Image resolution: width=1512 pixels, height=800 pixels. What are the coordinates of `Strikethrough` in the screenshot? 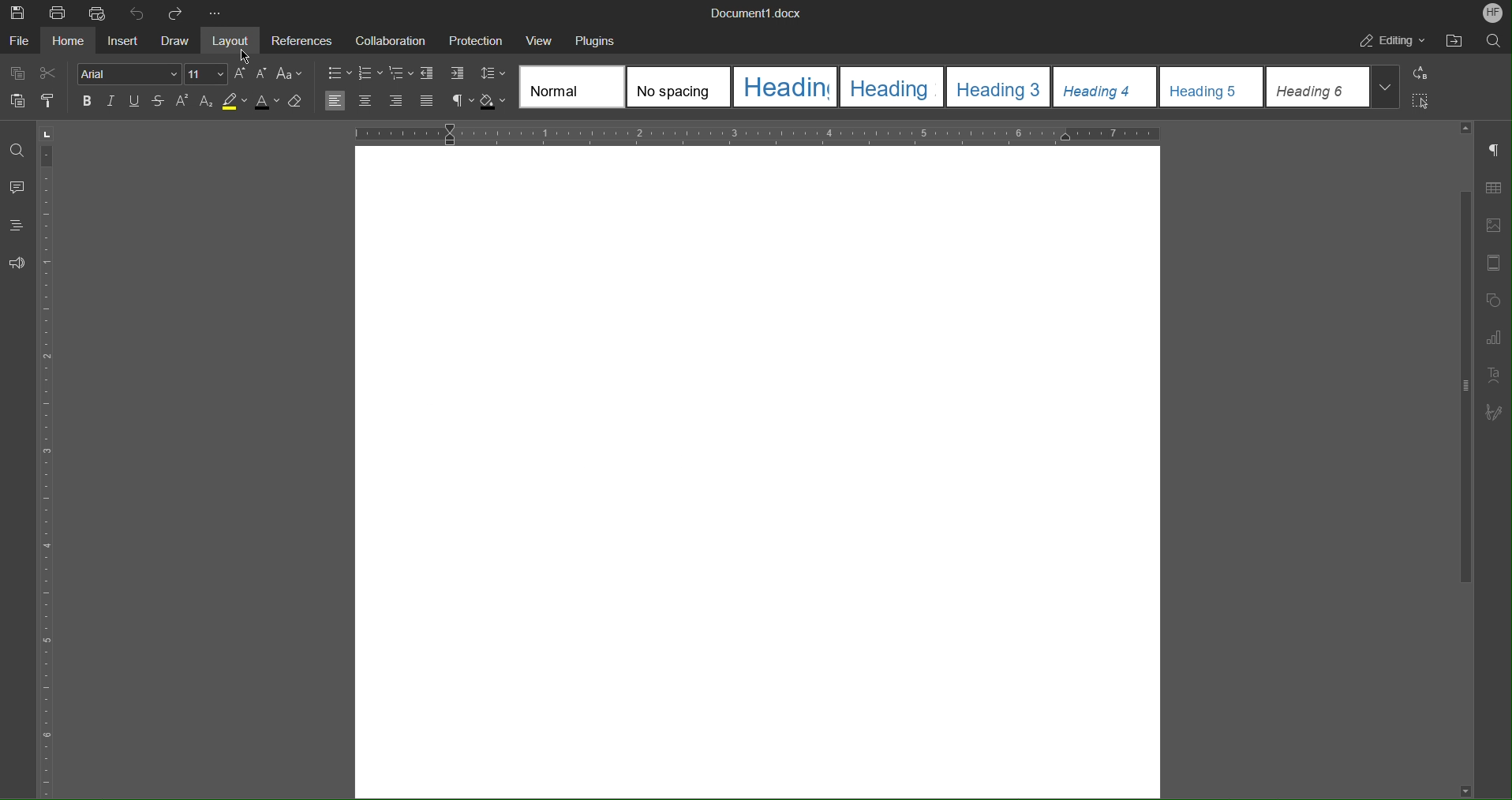 It's located at (157, 102).